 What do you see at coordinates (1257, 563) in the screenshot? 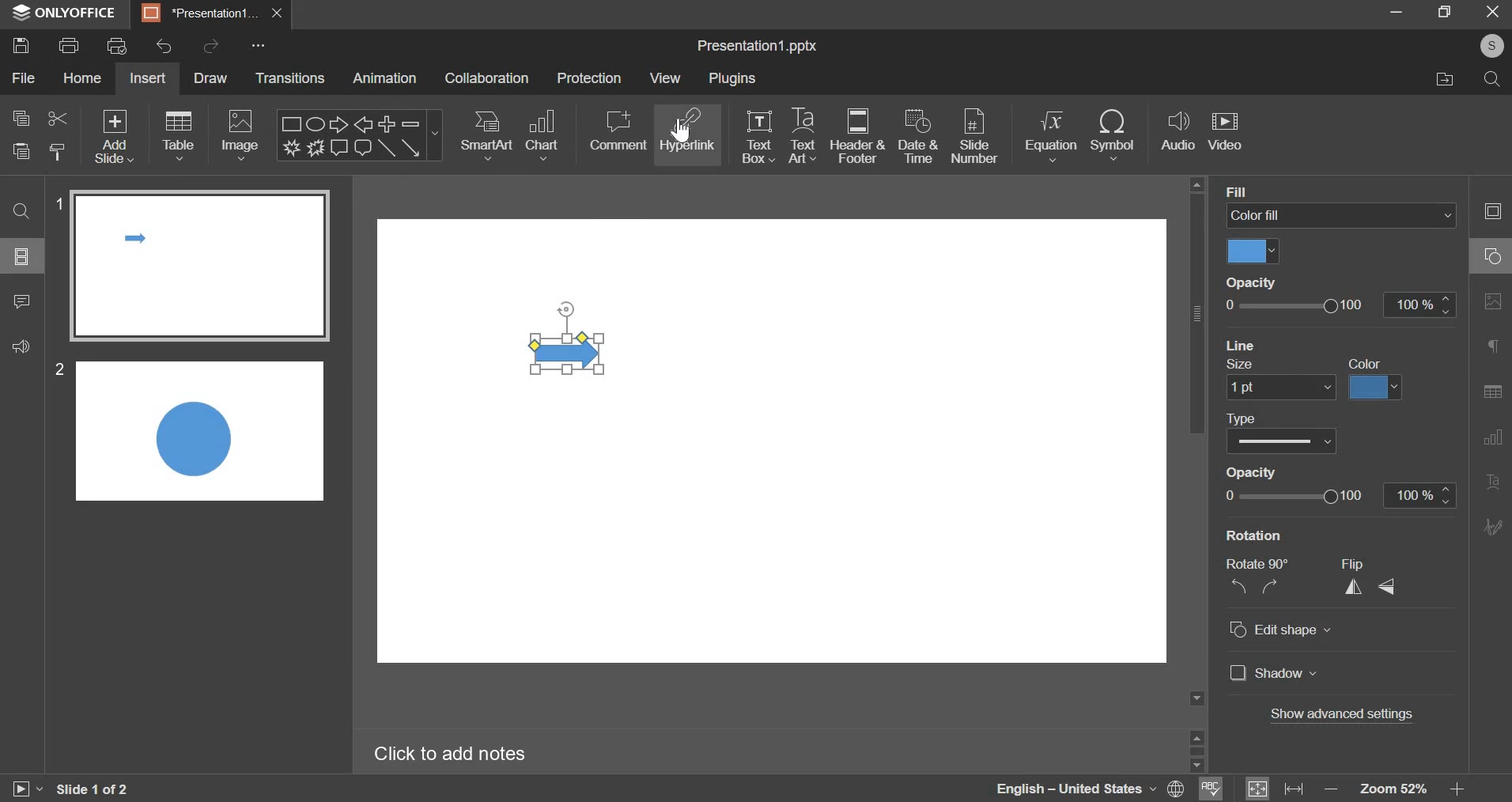
I see `rotate 90` at bounding box center [1257, 563].